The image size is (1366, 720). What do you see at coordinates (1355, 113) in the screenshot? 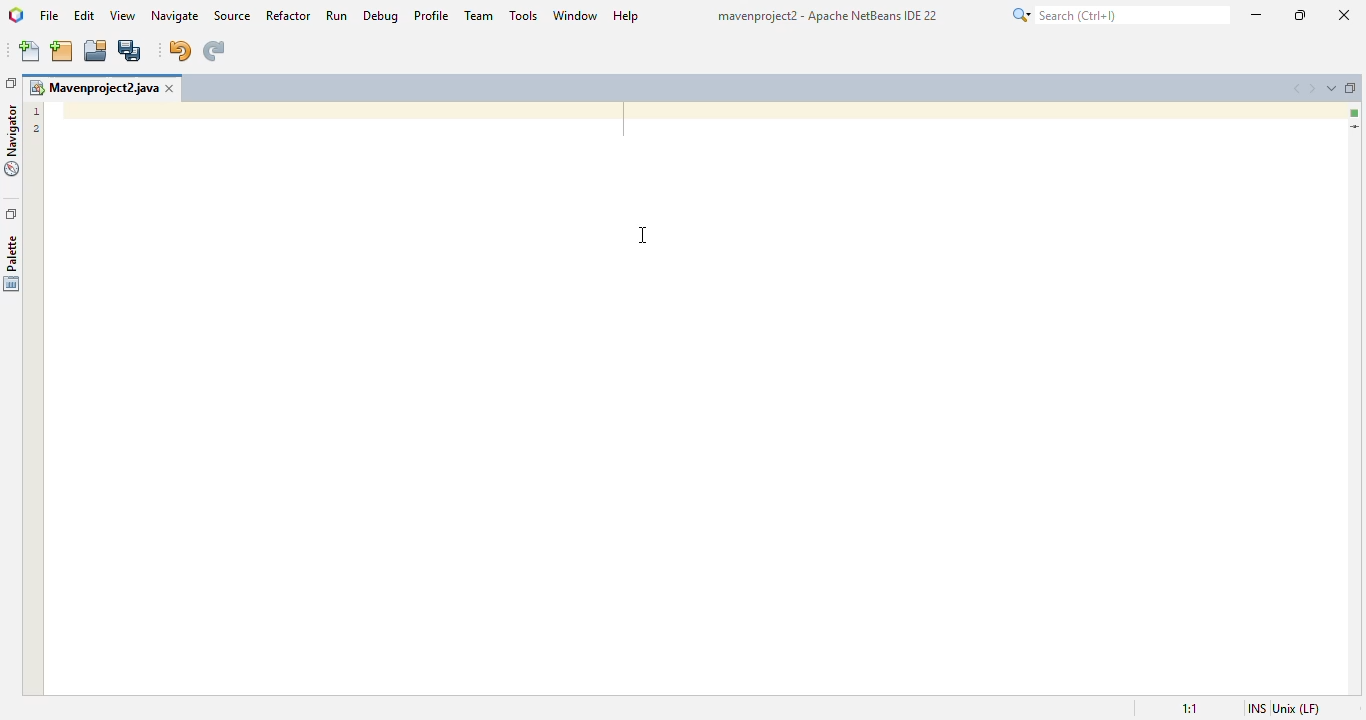
I see `no error` at bounding box center [1355, 113].